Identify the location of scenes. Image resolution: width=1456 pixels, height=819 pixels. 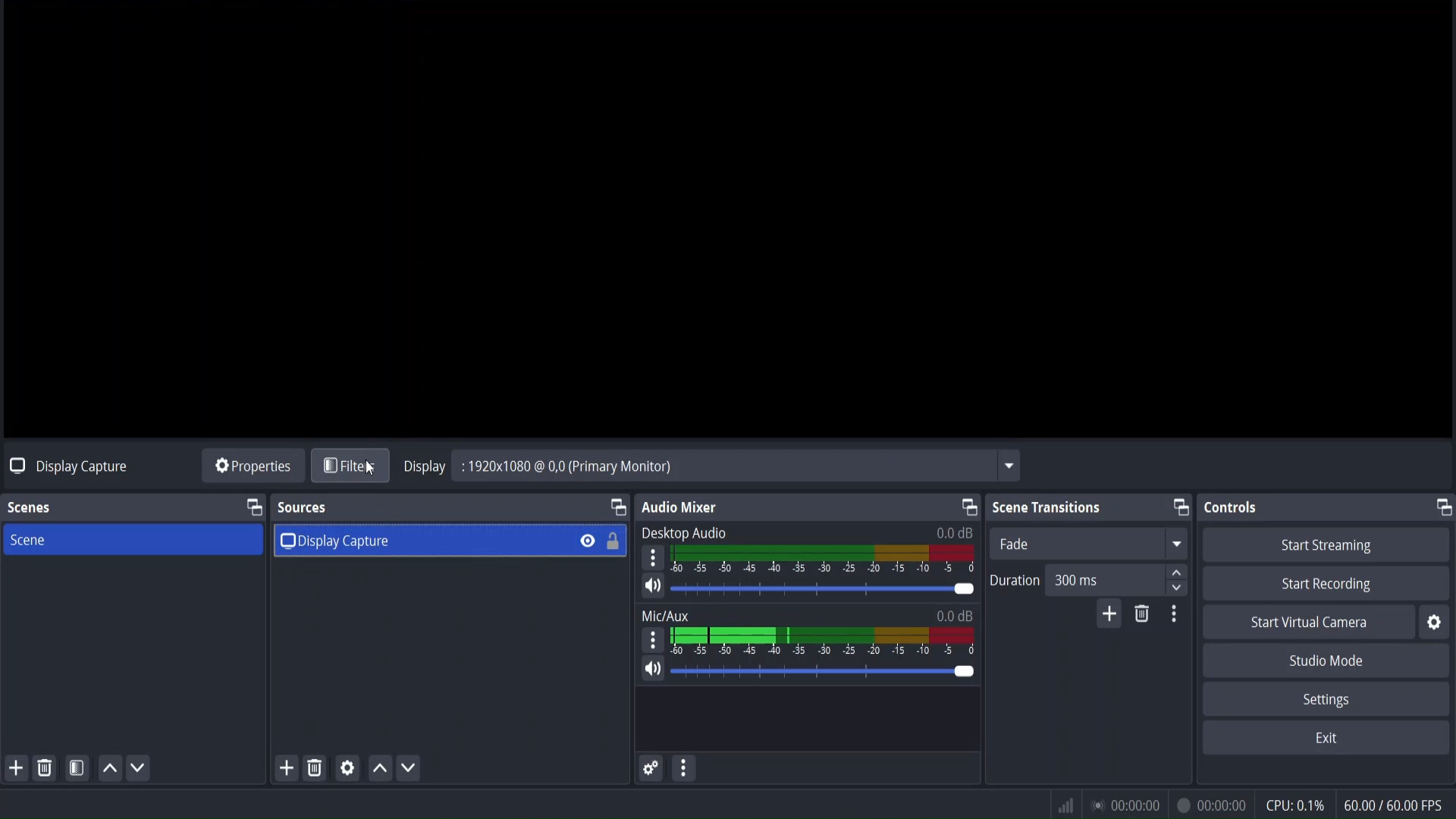
(30, 508).